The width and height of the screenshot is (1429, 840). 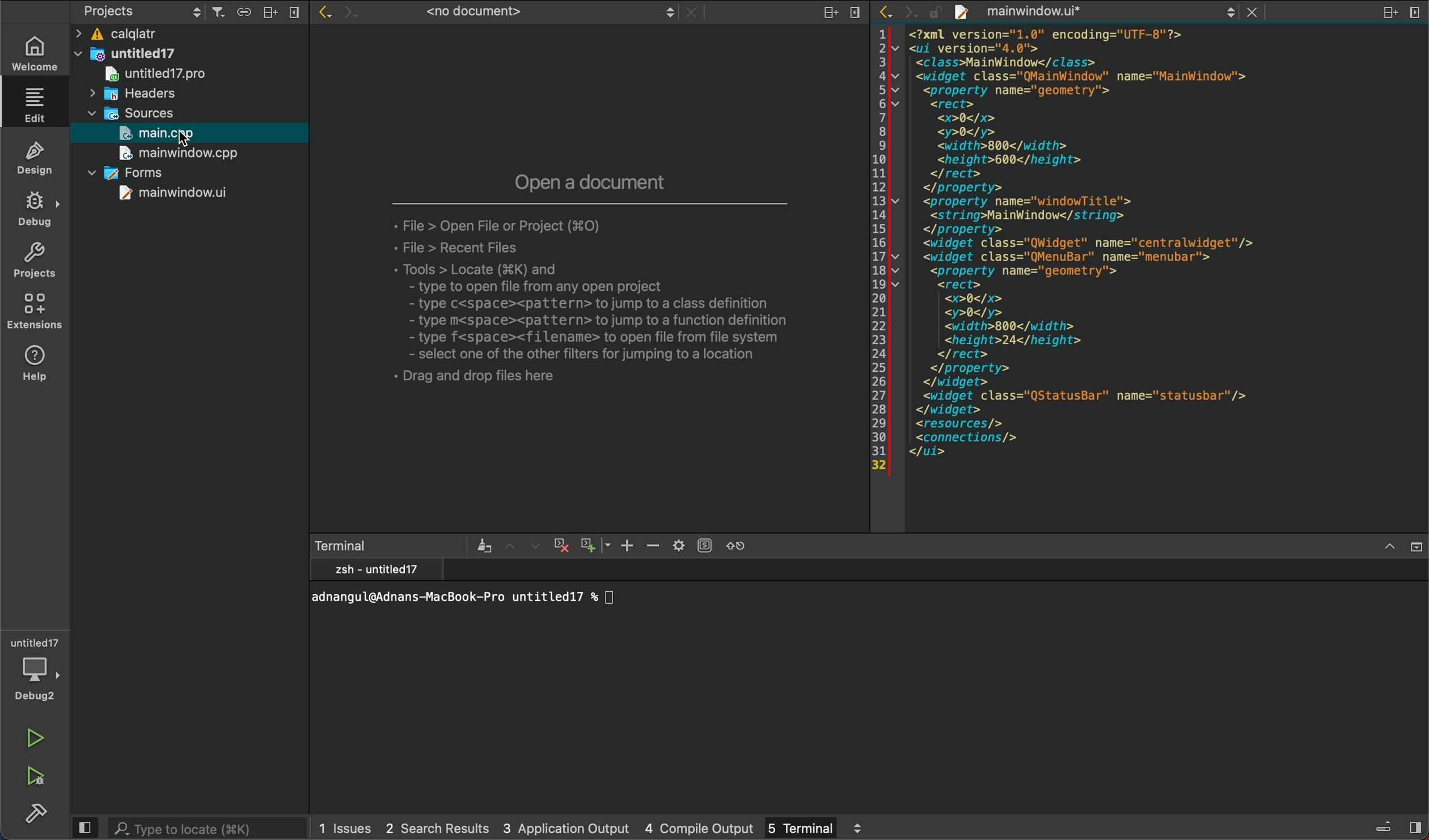 I want to click on untitled17, so click(x=147, y=74).